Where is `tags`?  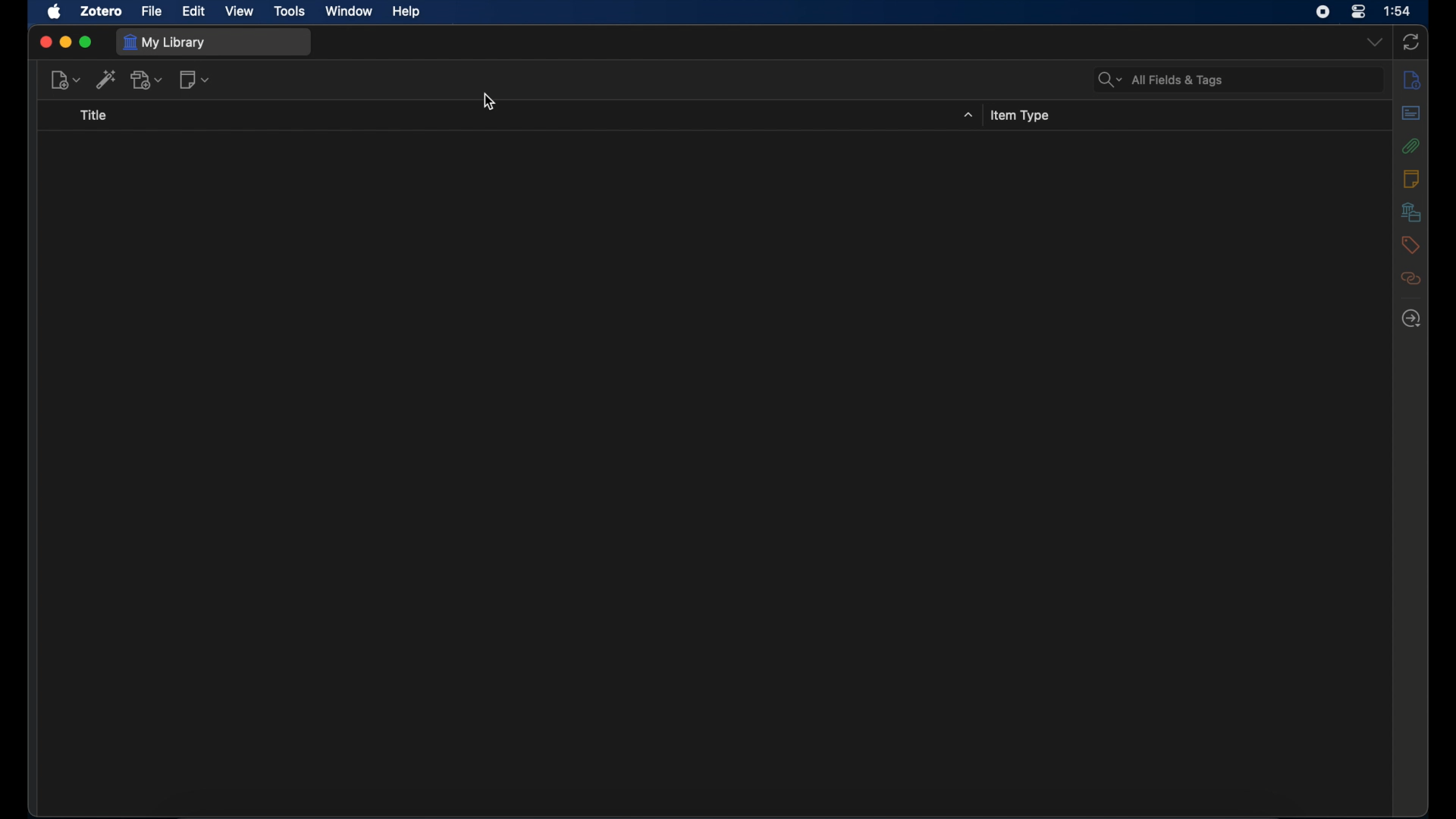 tags is located at coordinates (1410, 246).